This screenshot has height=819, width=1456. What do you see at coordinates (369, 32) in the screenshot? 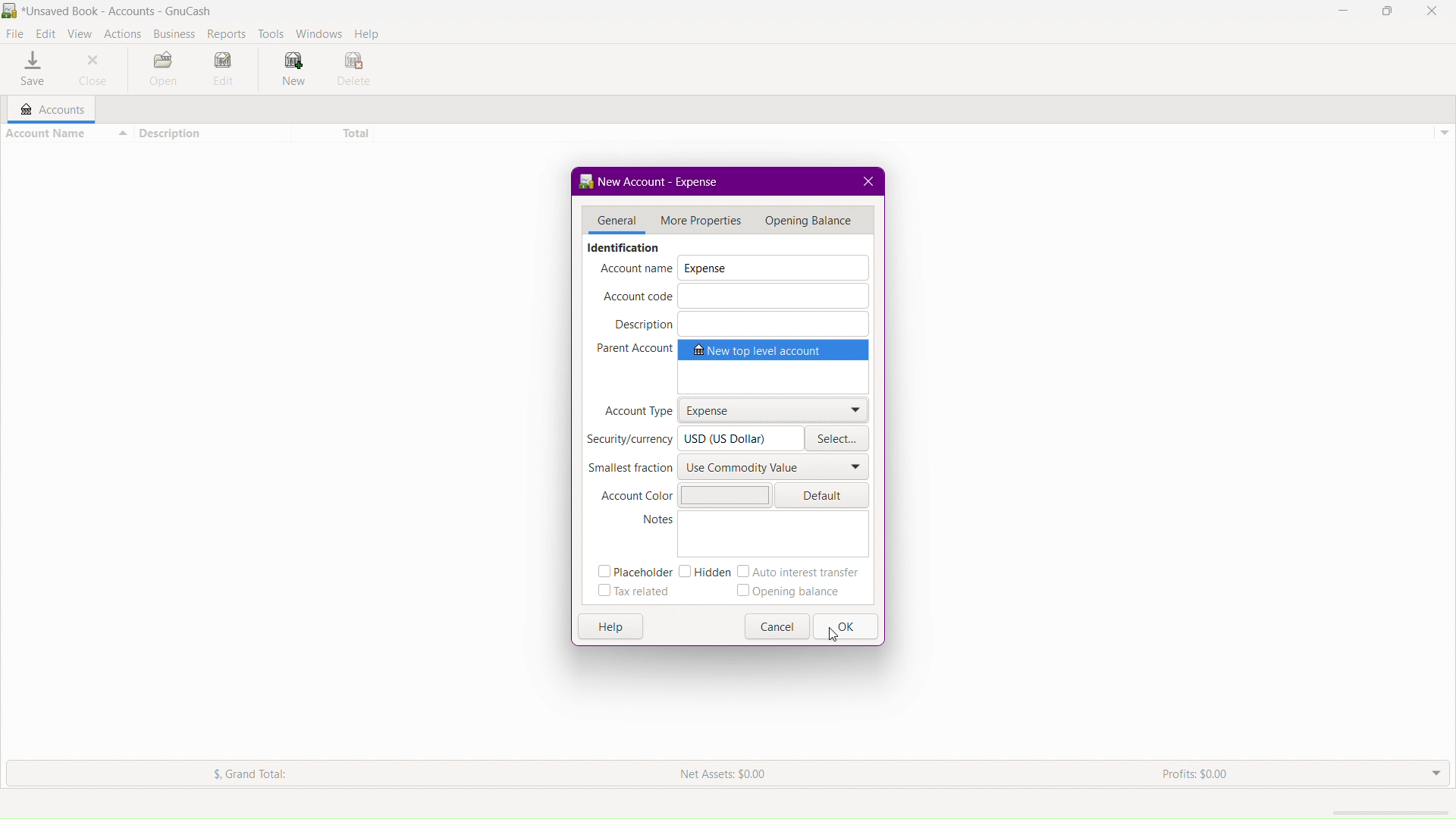
I see `Help` at bounding box center [369, 32].